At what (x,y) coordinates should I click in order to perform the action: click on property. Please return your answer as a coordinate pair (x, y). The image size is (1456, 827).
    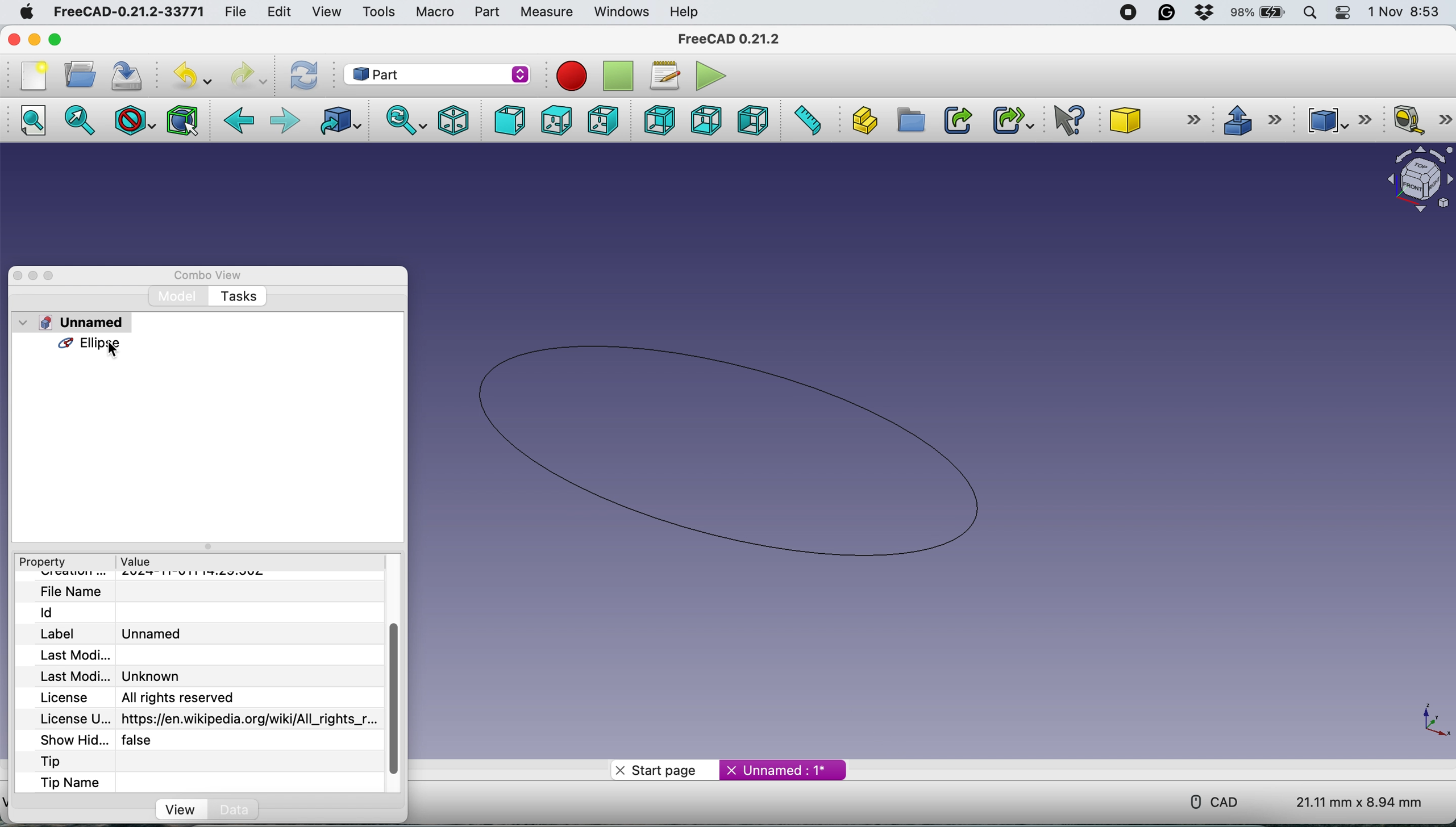
    Looking at the image, I should click on (45, 563).